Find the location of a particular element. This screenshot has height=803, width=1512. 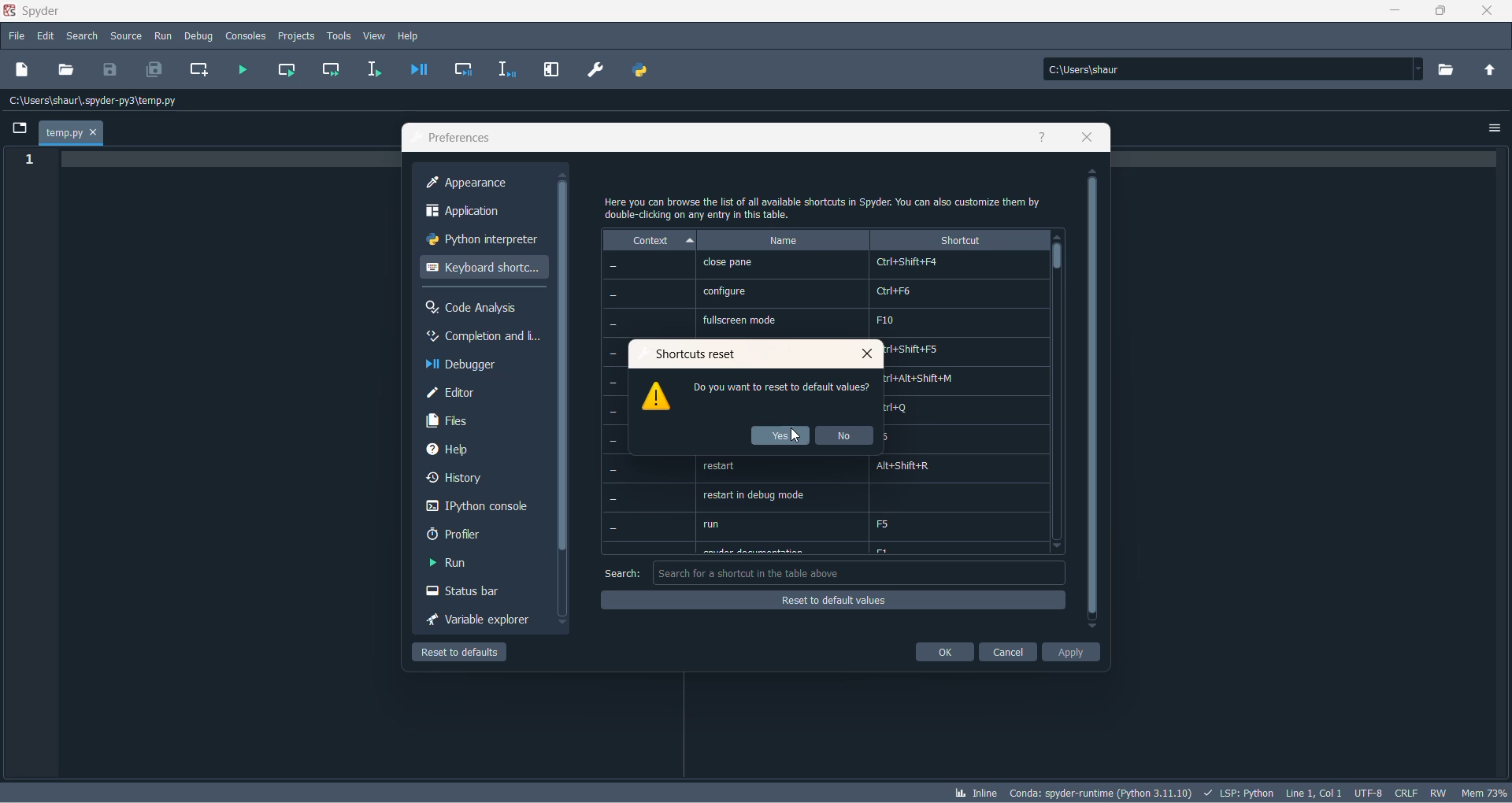

line and column number is located at coordinates (1314, 790).